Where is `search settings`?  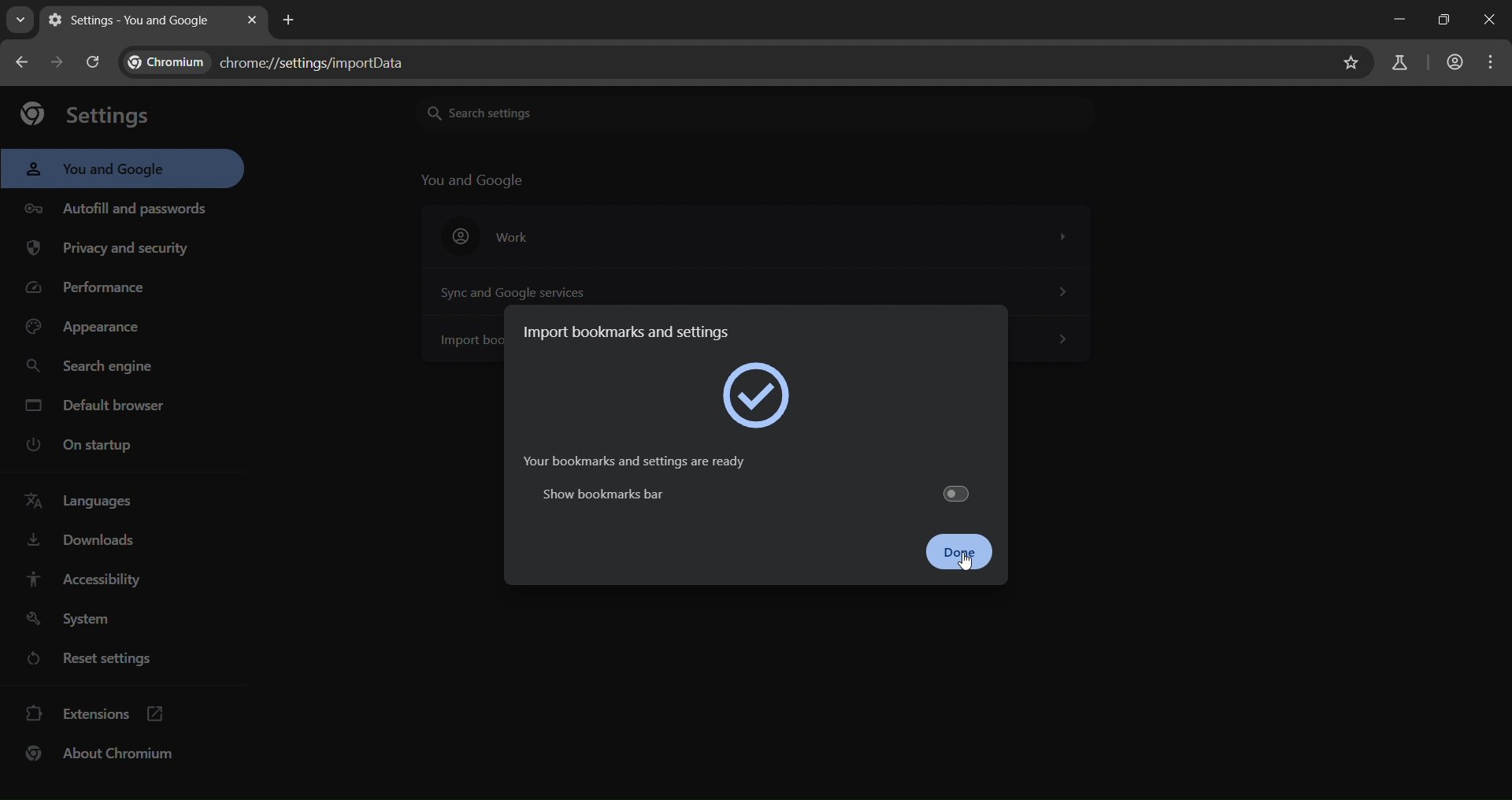
search settings is located at coordinates (543, 112).